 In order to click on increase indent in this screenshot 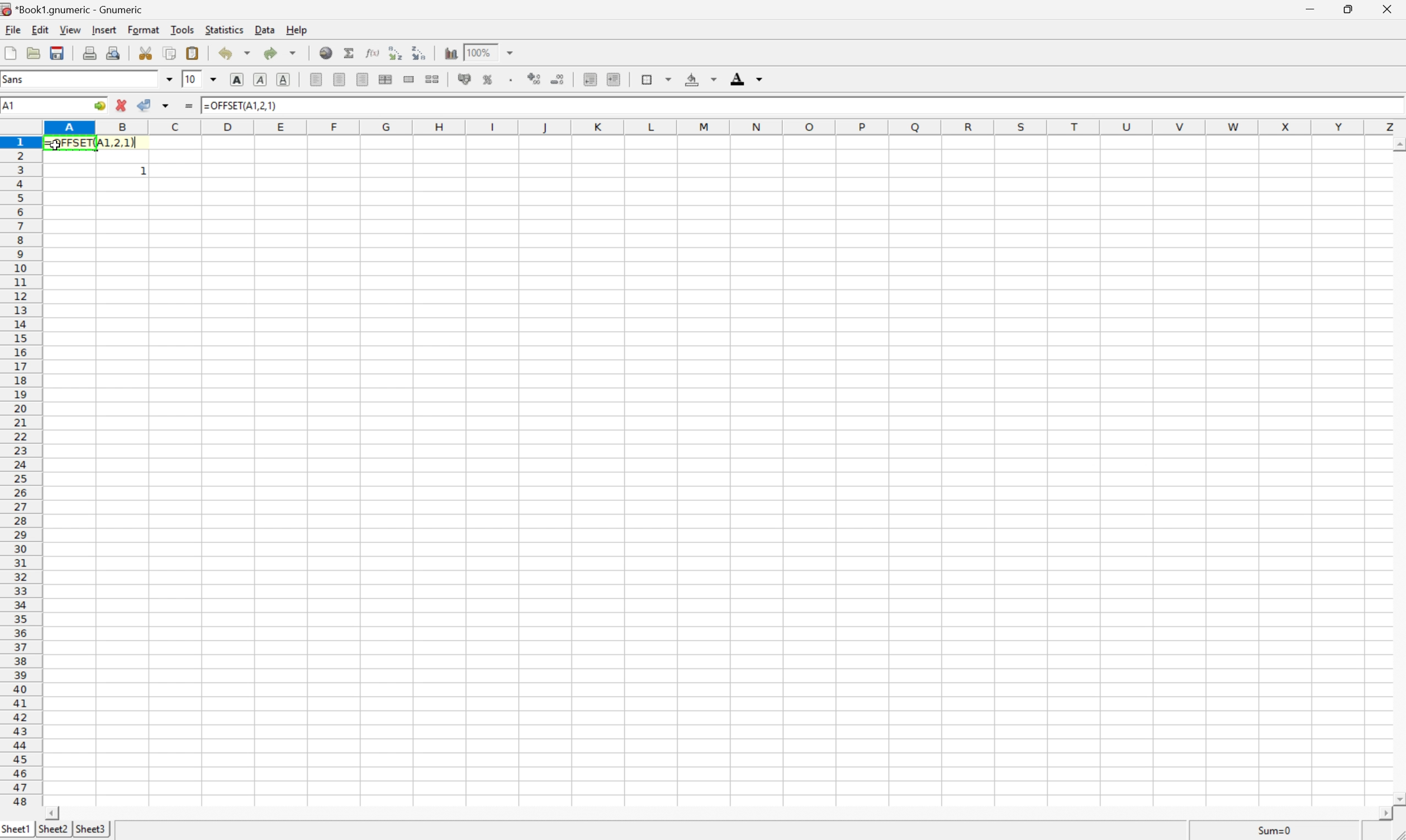, I will do `click(614, 78)`.